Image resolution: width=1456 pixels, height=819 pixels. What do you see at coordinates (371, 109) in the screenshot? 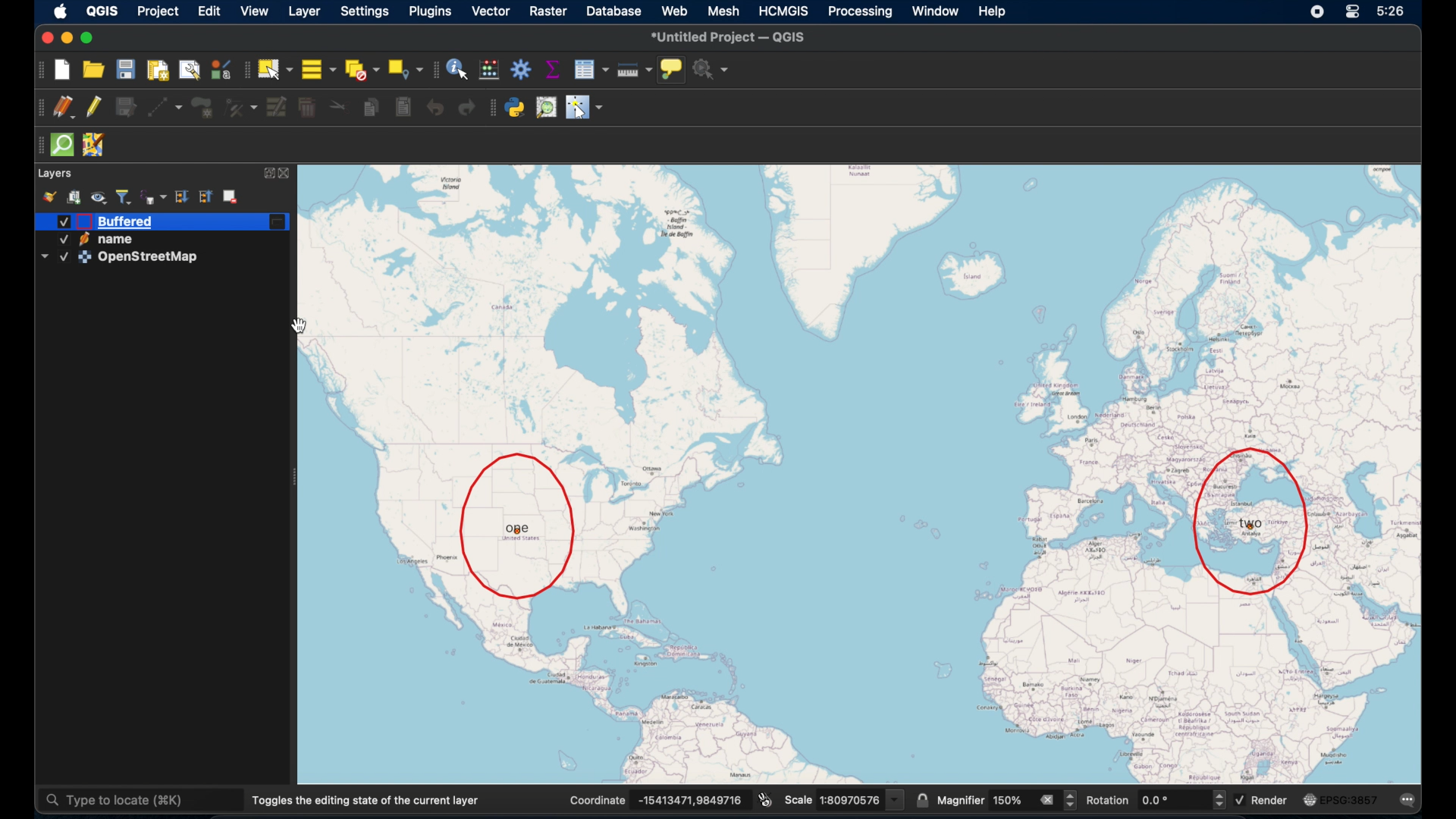
I see `copy features` at bounding box center [371, 109].